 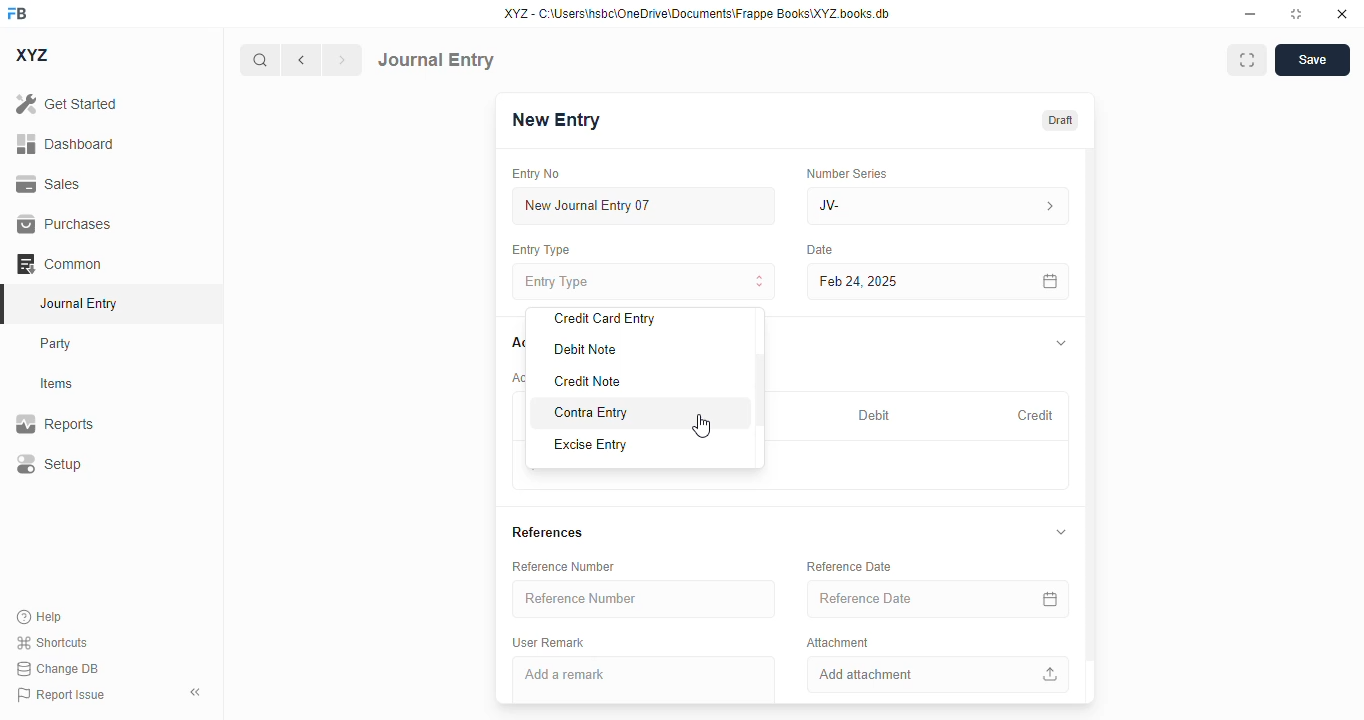 What do you see at coordinates (65, 143) in the screenshot?
I see `dashboard` at bounding box center [65, 143].